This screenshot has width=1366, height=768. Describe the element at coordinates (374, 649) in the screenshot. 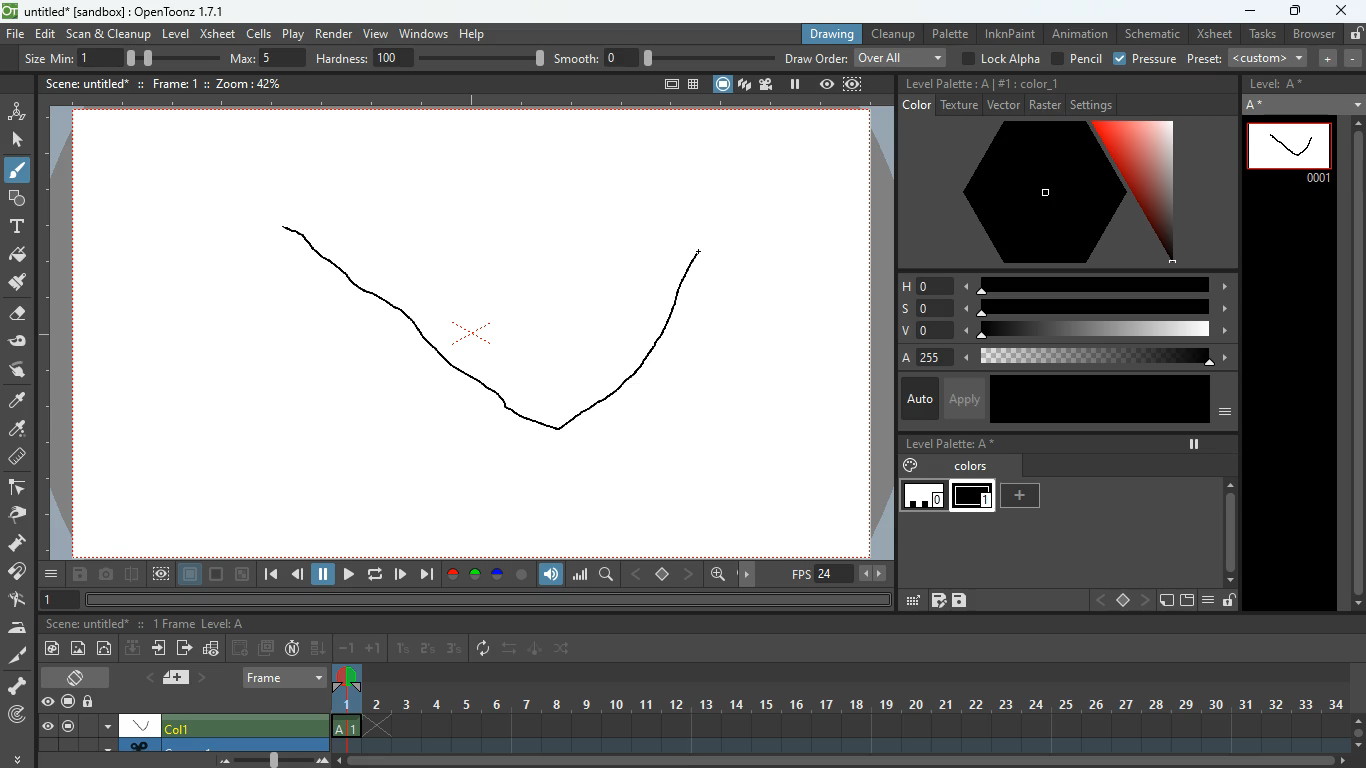

I see `+1` at that location.